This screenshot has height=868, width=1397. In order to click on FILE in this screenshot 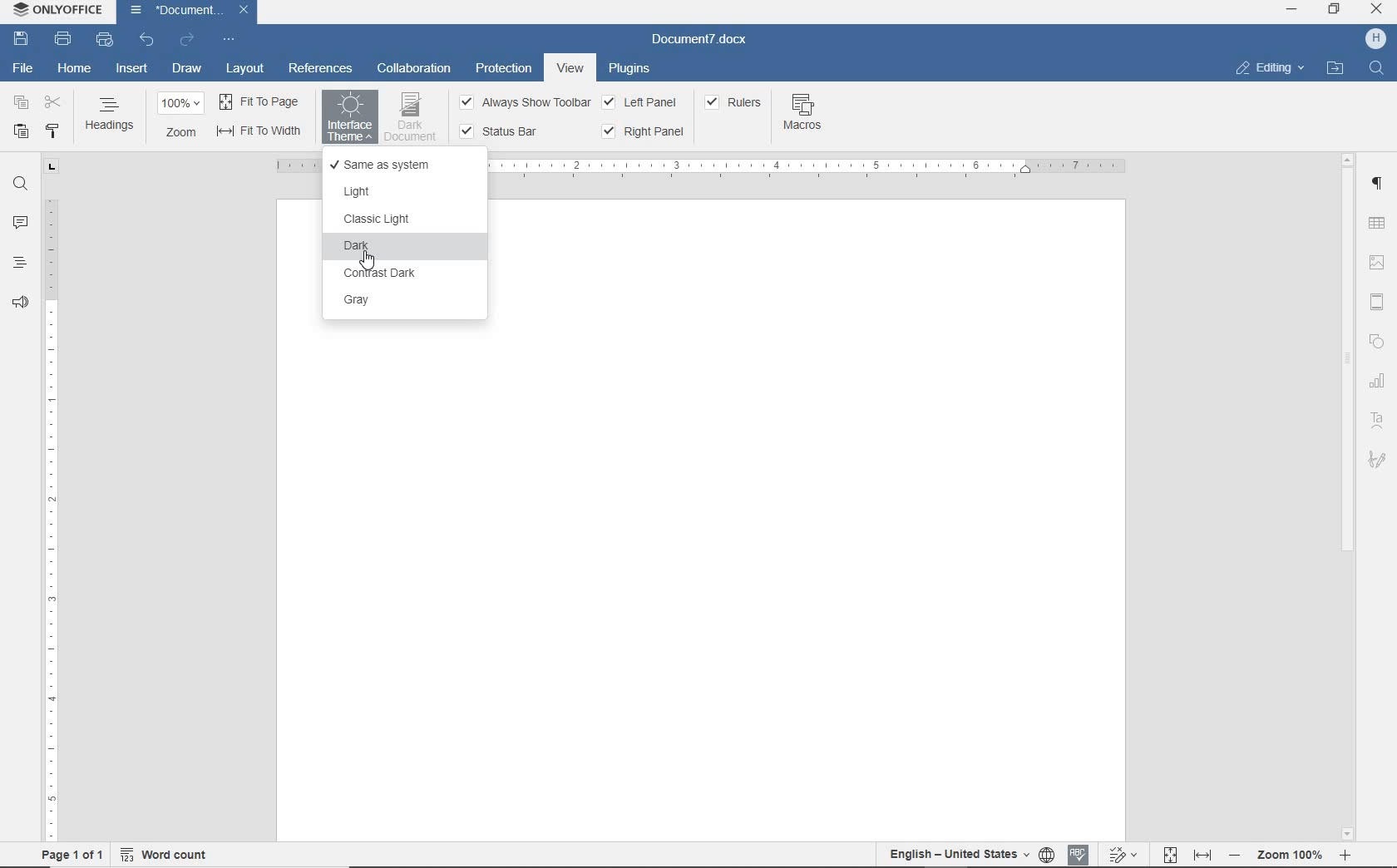, I will do `click(22, 71)`.